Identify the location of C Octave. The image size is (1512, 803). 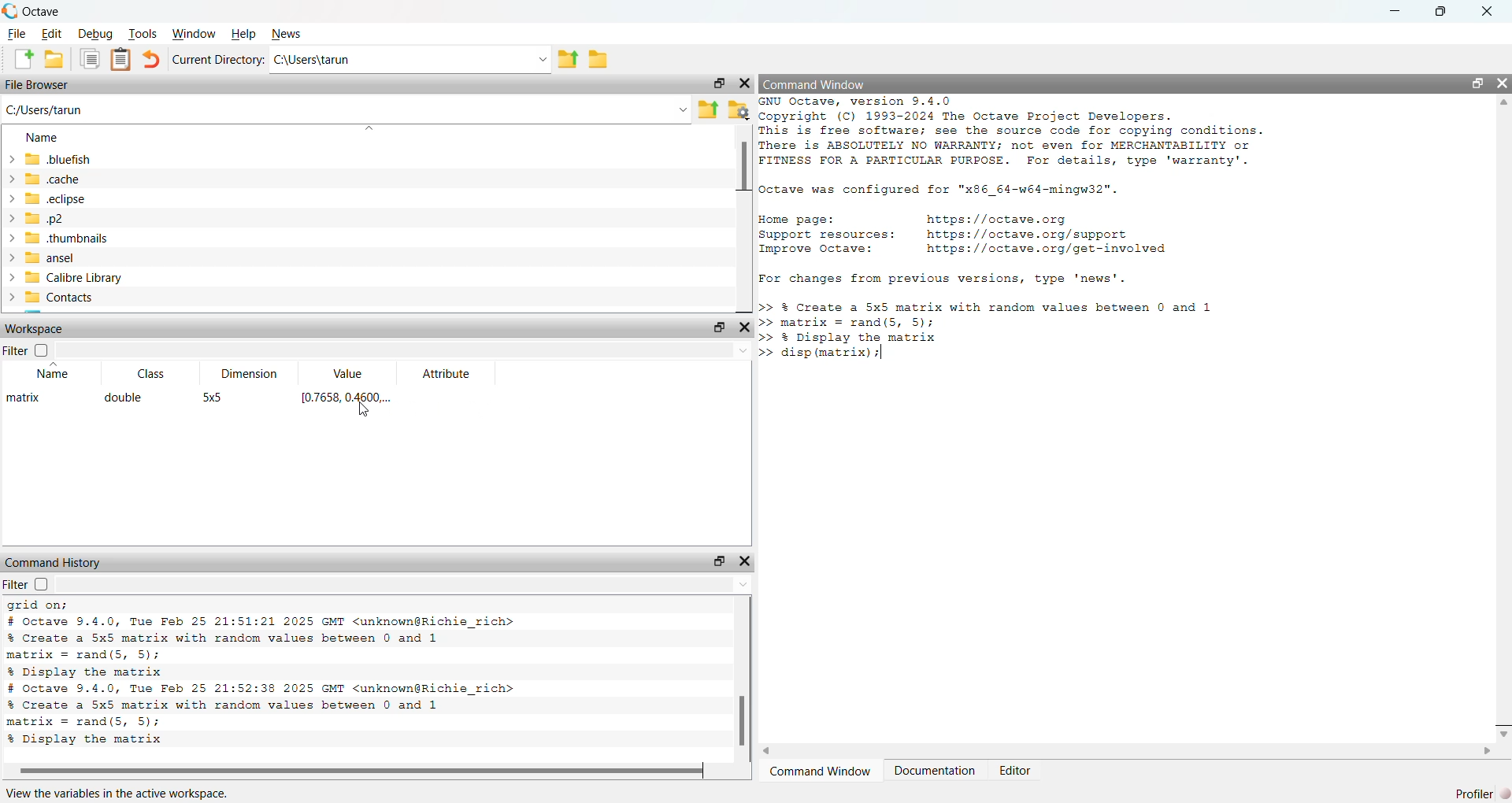
(42, 10).